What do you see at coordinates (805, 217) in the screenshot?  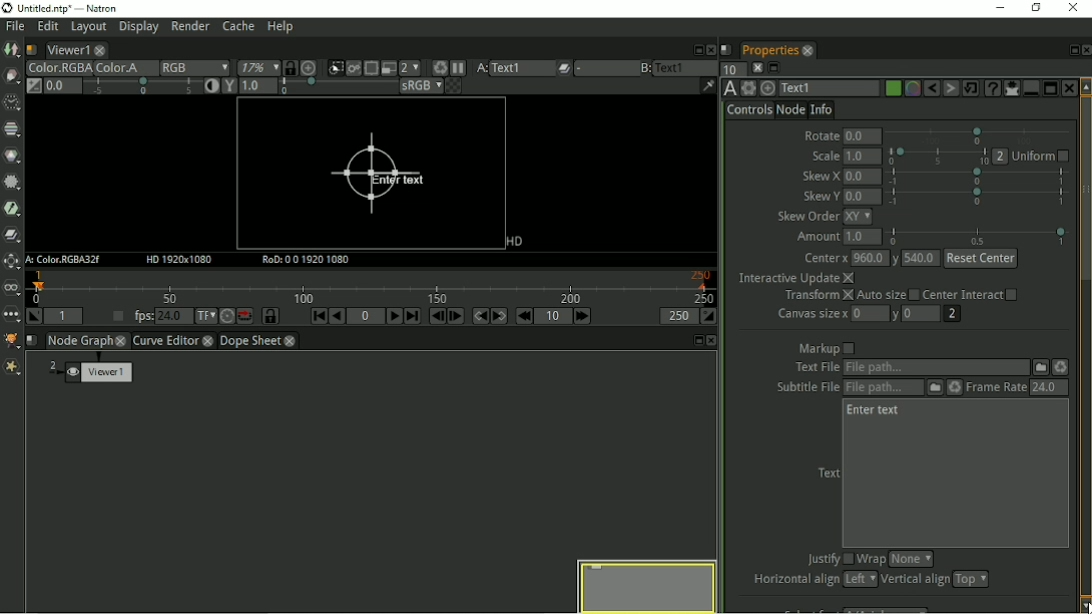 I see `skew Order` at bounding box center [805, 217].